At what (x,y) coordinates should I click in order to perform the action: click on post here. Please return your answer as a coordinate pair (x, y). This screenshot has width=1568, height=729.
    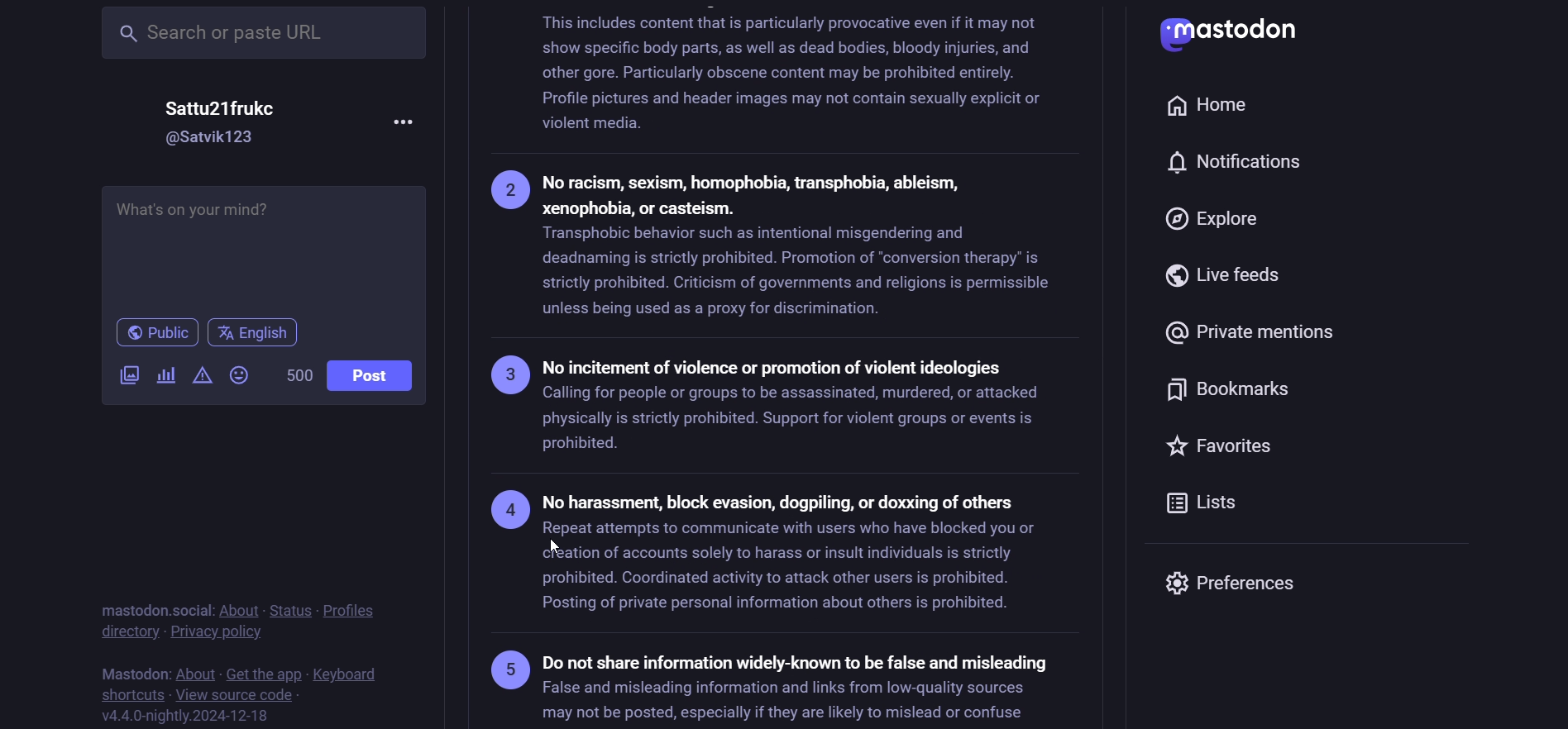
    Looking at the image, I should click on (261, 243).